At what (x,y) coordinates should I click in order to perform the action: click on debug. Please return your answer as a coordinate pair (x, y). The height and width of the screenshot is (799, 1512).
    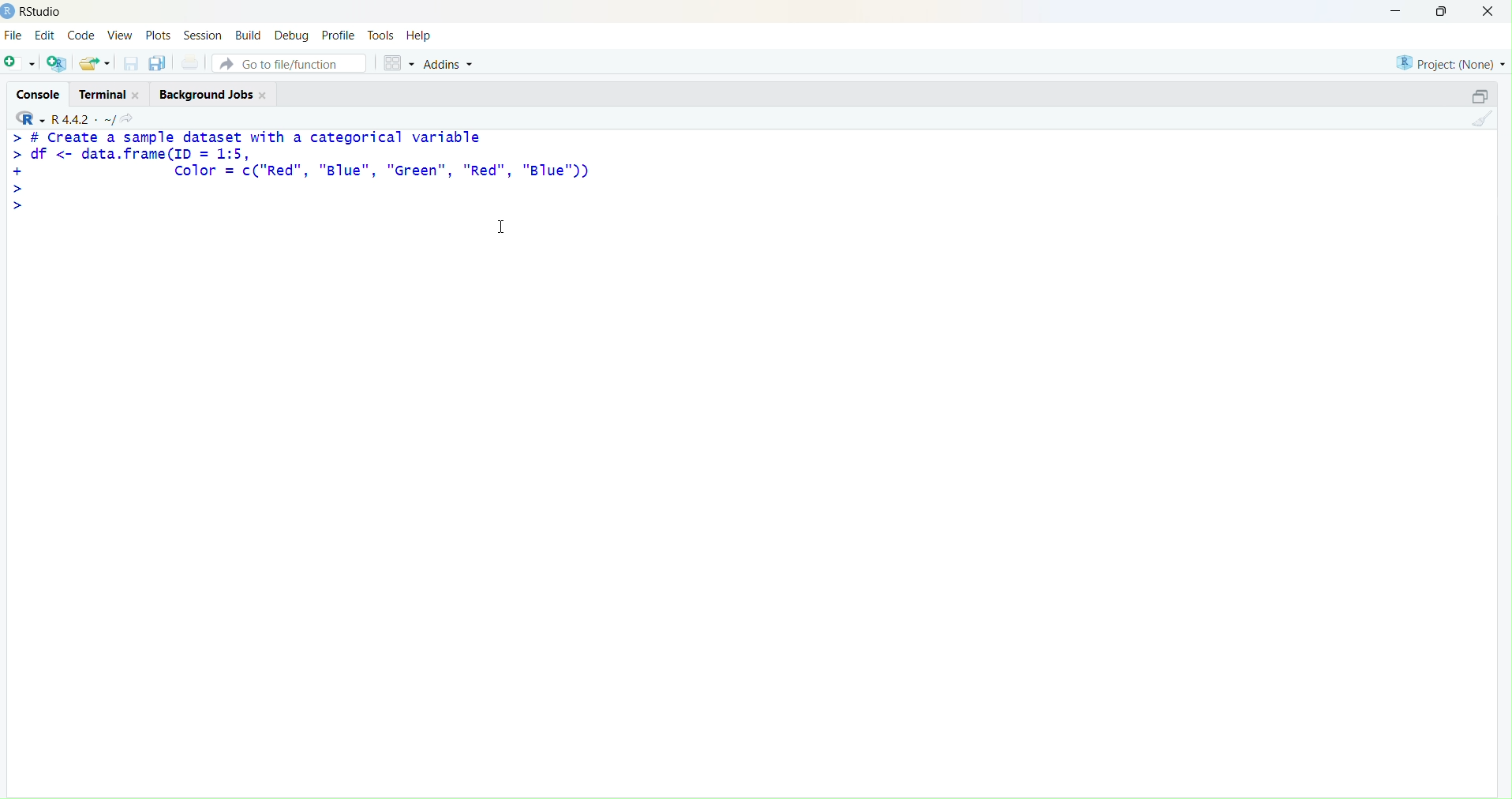
    Looking at the image, I should click on (291, 37).